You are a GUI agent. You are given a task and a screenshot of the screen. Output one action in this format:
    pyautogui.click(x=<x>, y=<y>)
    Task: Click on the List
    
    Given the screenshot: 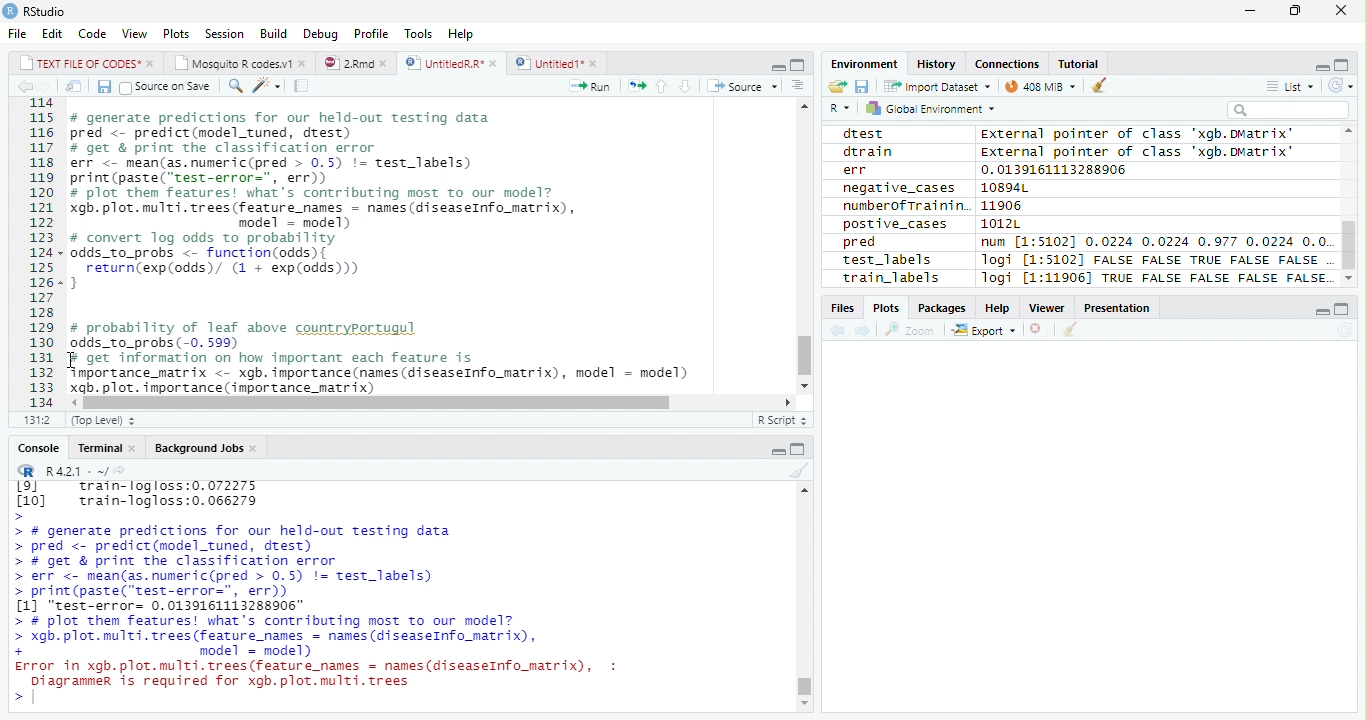 What is the action you would take?
    pyautogui.click(x=1289, y=85)
    